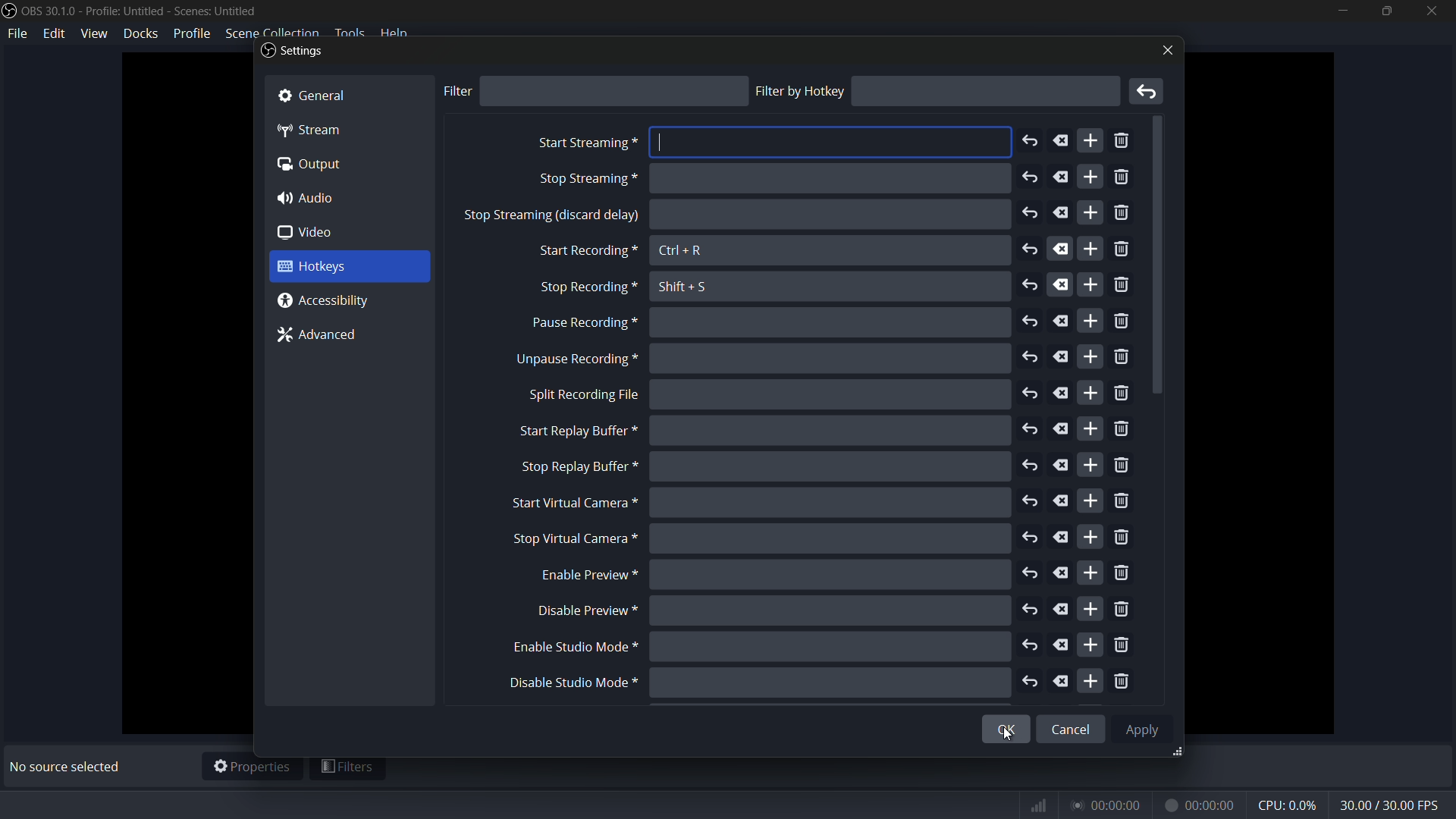 This screenshot has width=1456, height=819. What do you see at coordinates (577, 467) in the screenshot?
I see `stop replay buffer` at bounding box center [577, 467].